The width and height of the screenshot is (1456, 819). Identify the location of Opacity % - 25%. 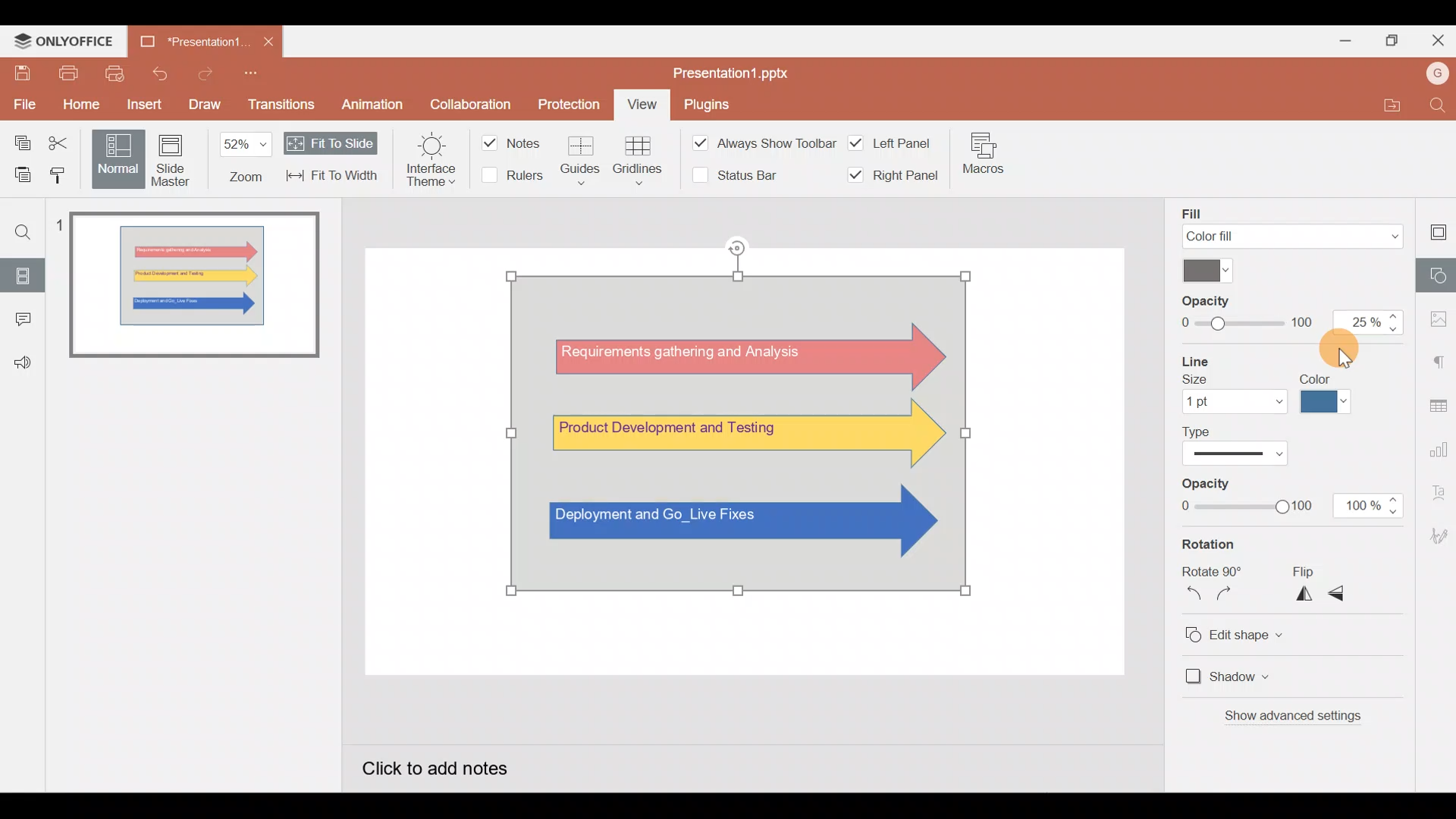
(1373, 322).